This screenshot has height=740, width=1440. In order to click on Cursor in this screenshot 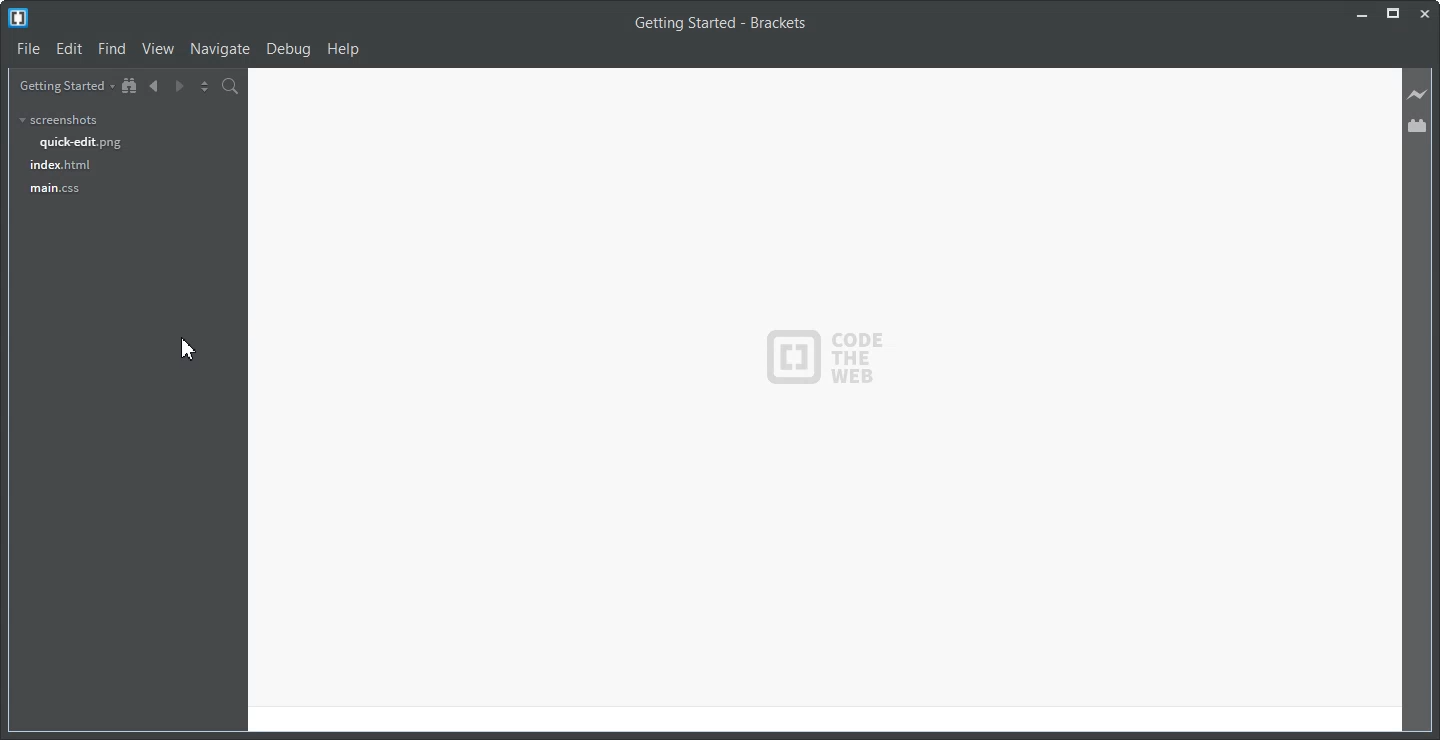, I will do `click(189, 348)`.